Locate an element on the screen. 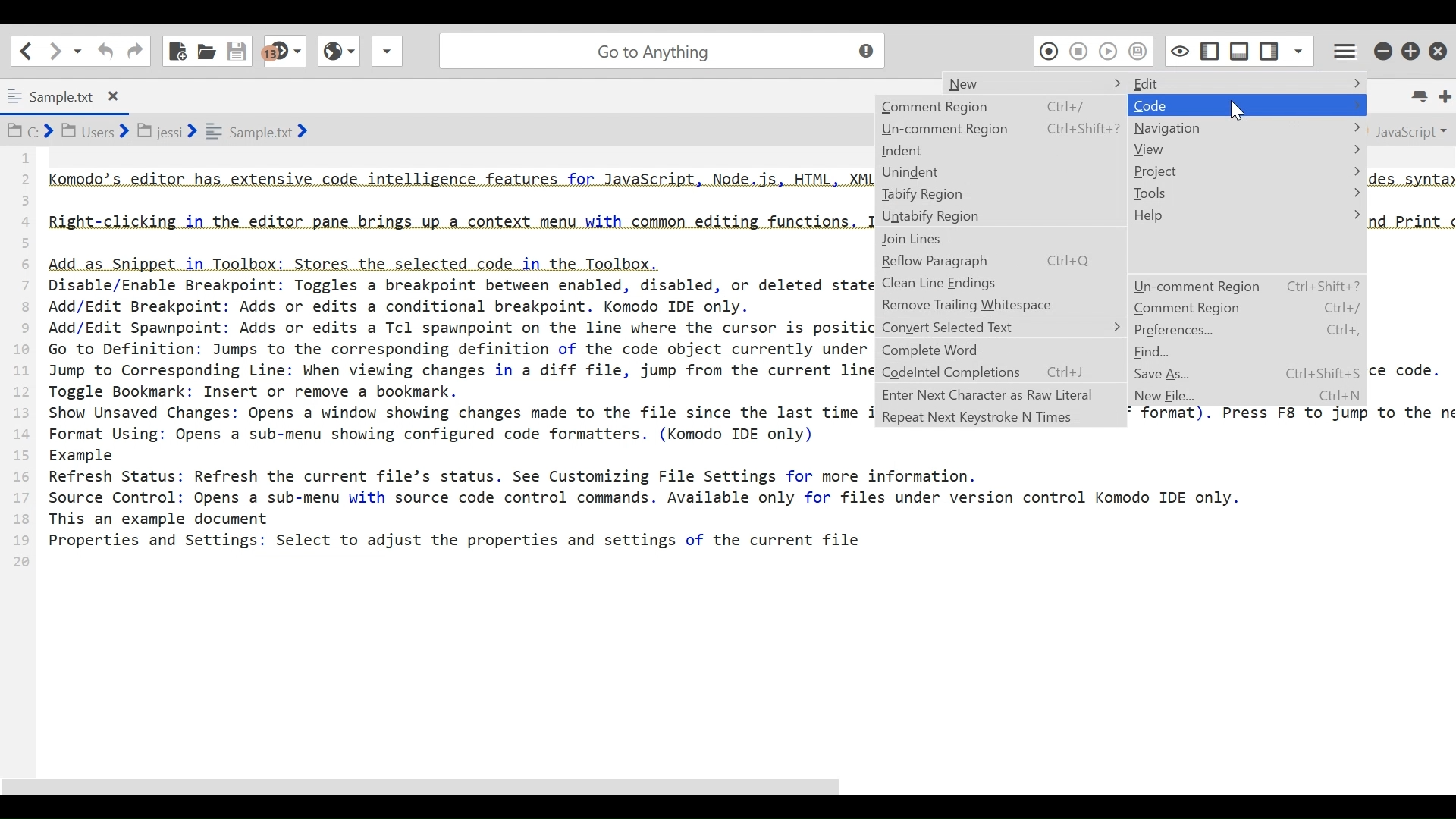 The width and height of the screenshot is (1456, 819). Project is located at coordinates (1246, 170).